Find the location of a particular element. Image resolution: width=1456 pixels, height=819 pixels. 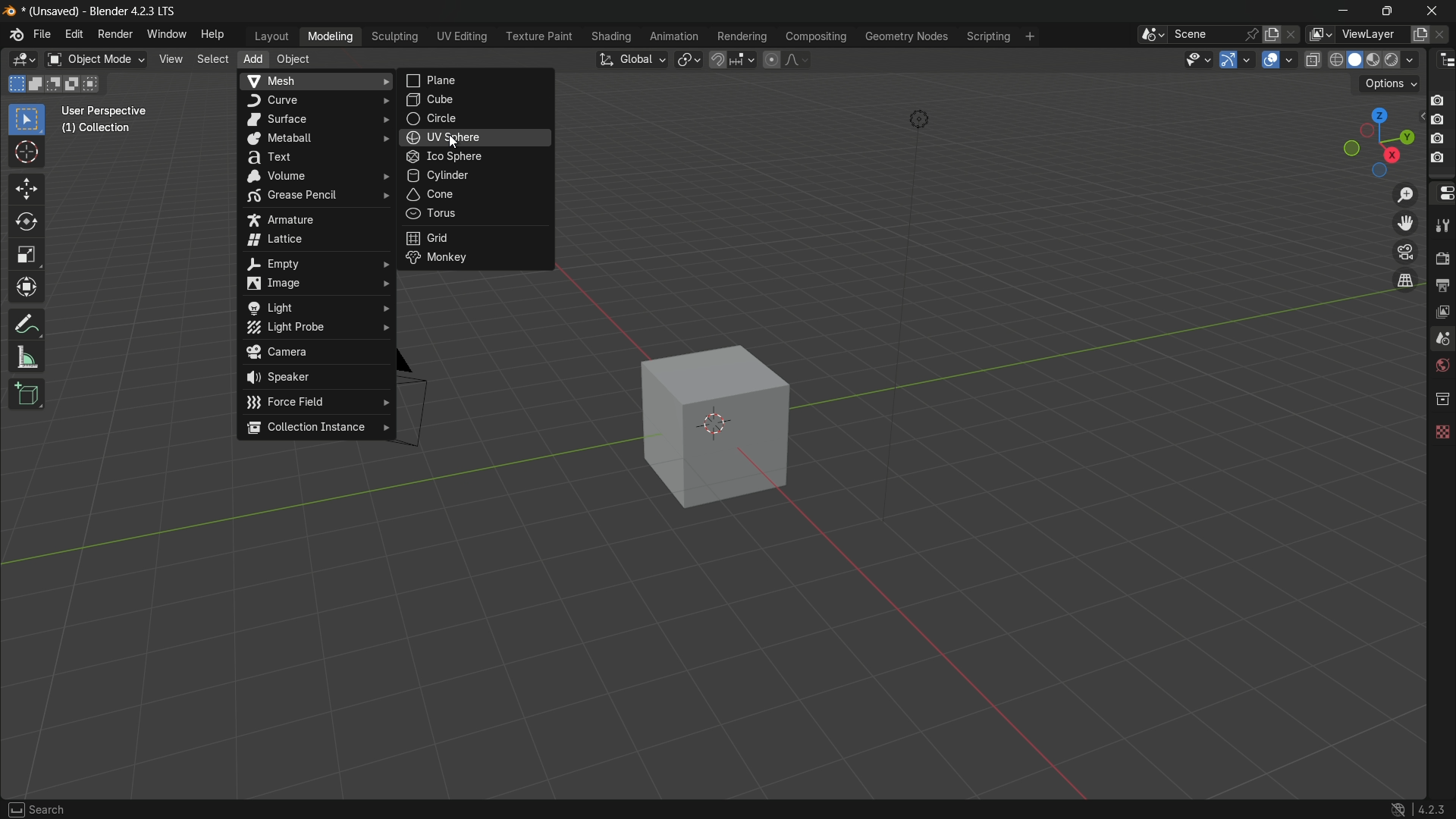

move is located at coordinates (27, 191).